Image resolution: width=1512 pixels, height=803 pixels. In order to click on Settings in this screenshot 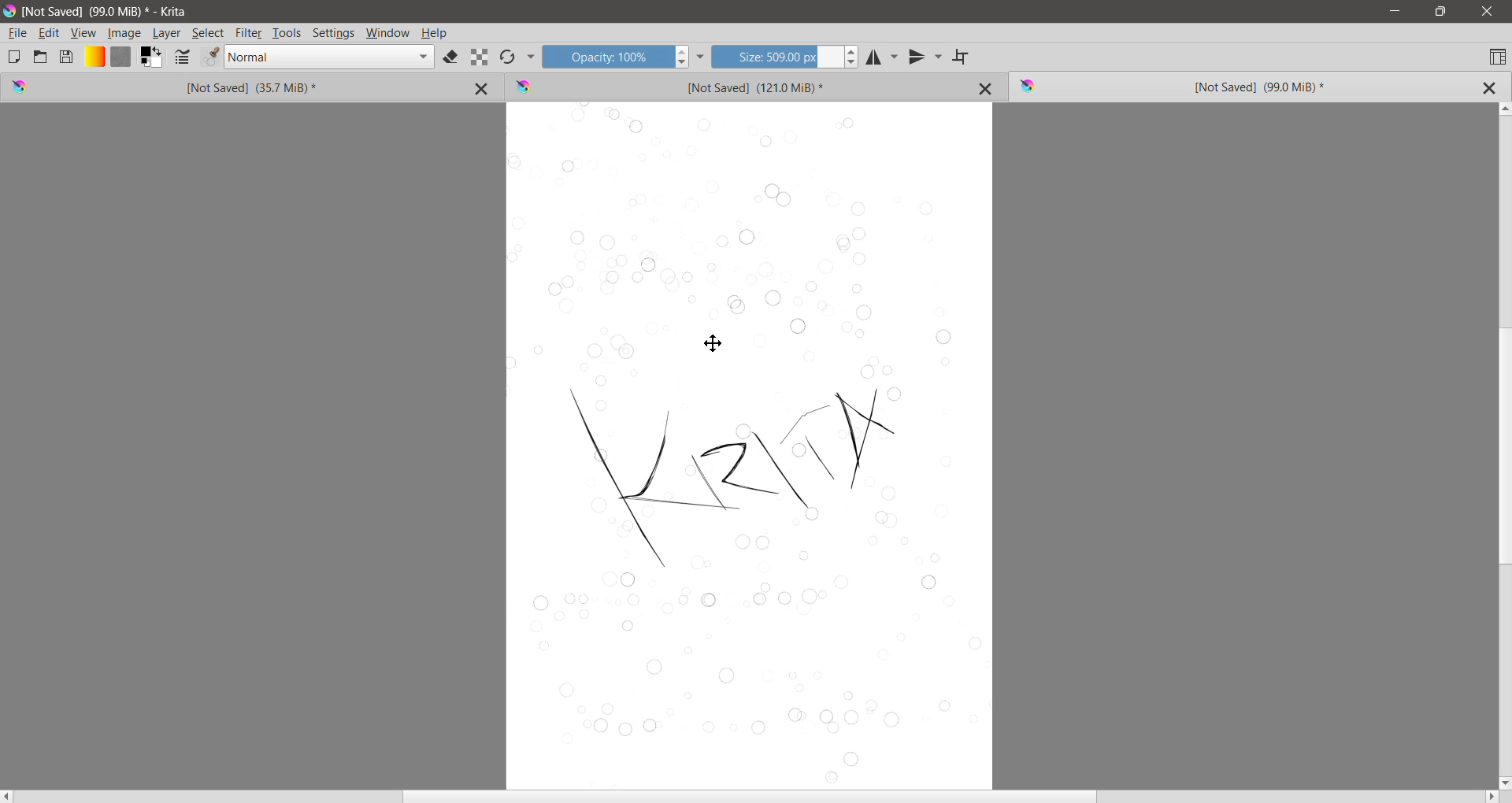, I will do `click(334, 34)`.